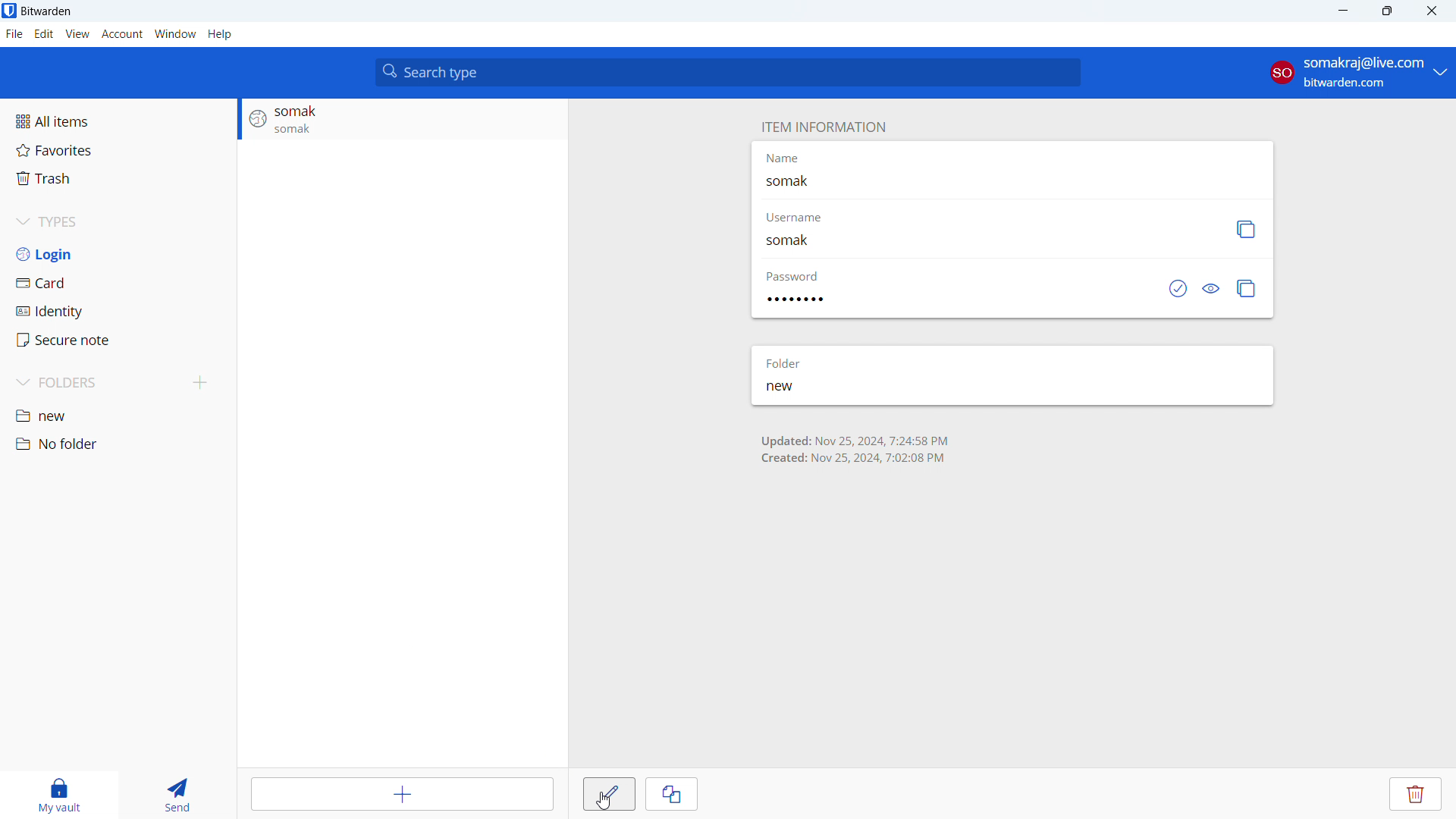 This screenshot has height=819, width=1456. What do you see at coordinates (118, 121) in the screenshot?
I see `all items` at bounding box center [118, 121].